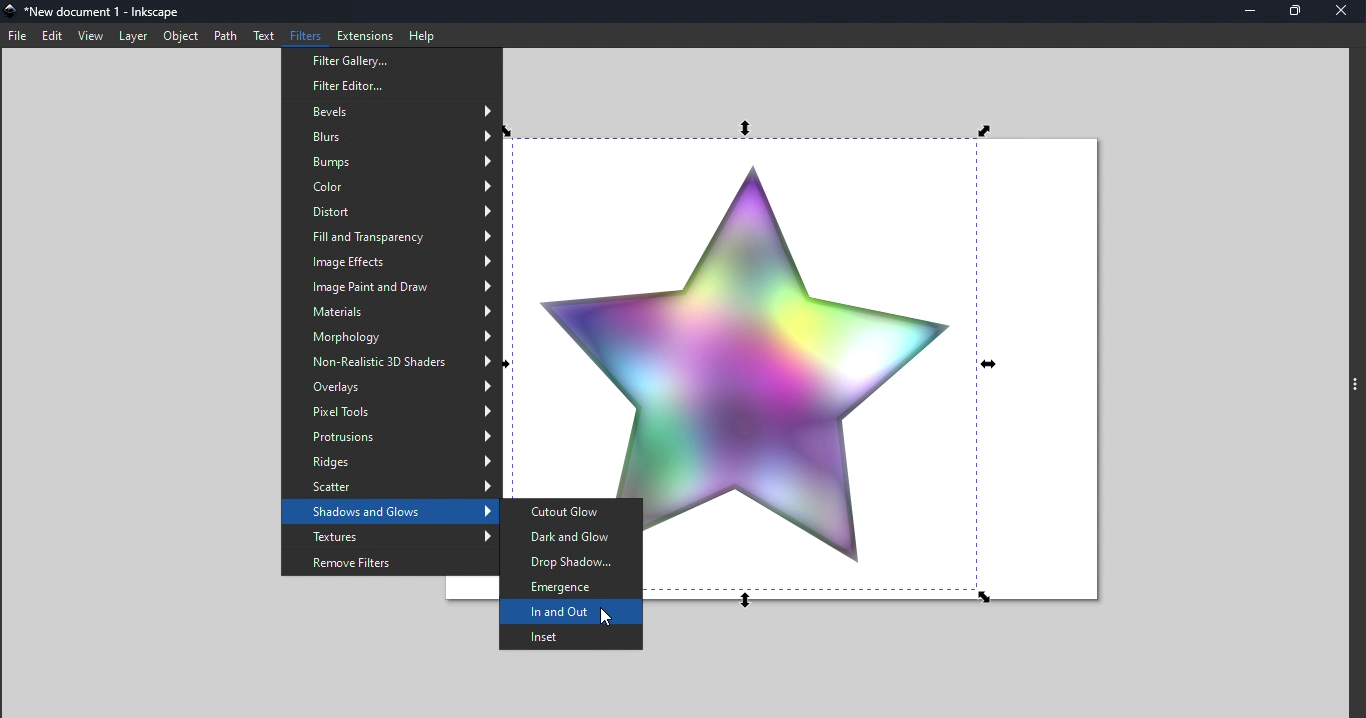 The image size is (1366, 718). I want to click on edit, so click(52, 36).